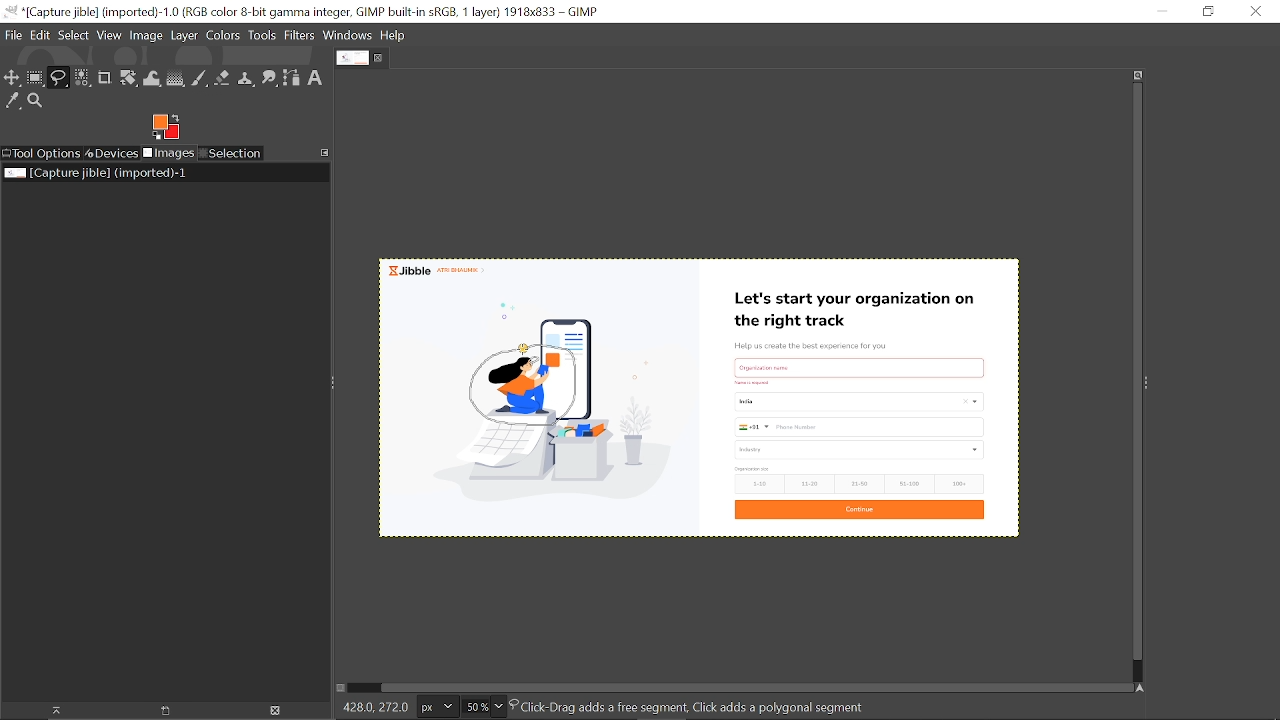 The image size is (1280, 720). Describe the element at coordinates (292, 78) in the screenshot. I see `Path tool` at that location.